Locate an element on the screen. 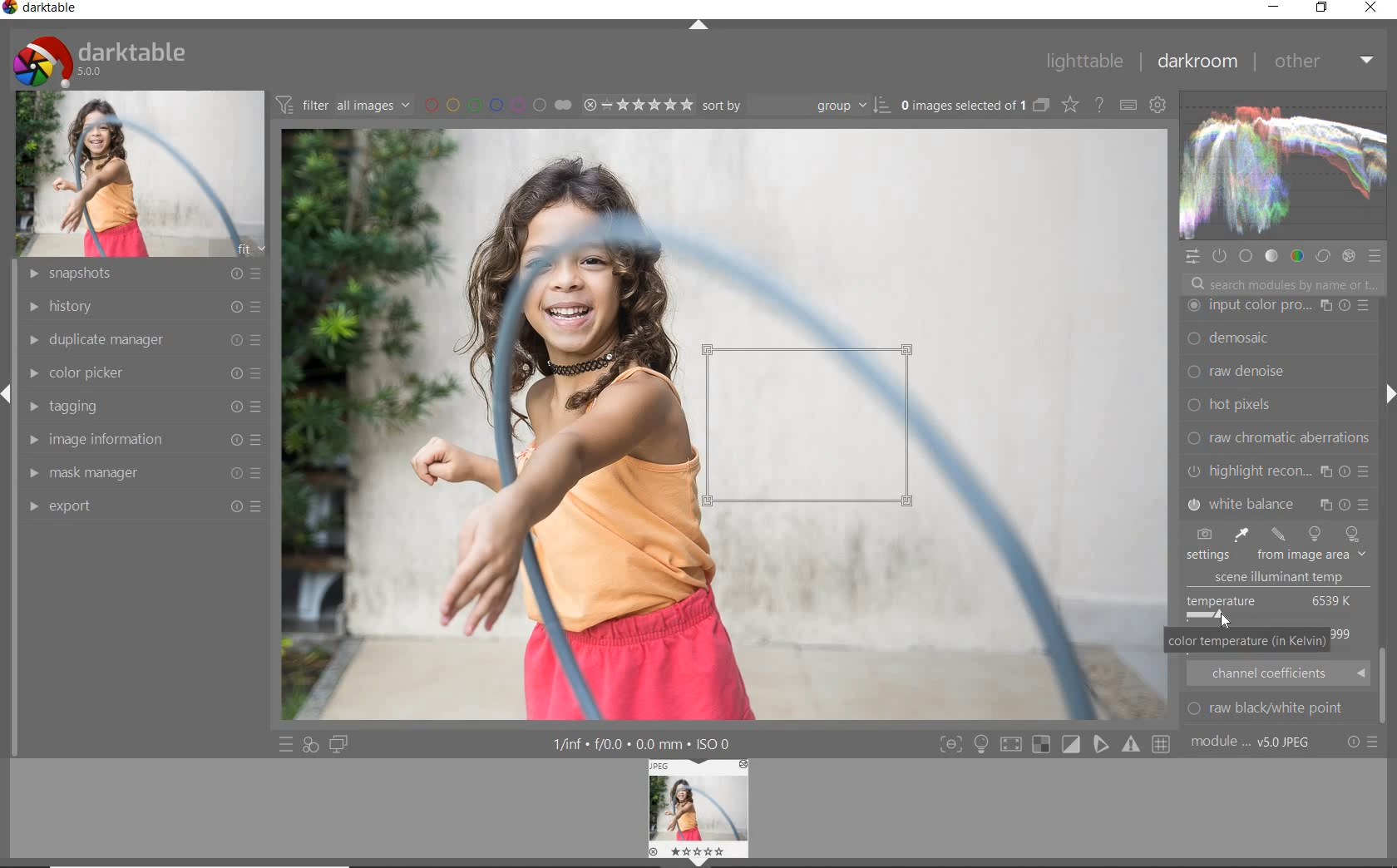 The width and height of the screenshot is (1397, 868). COLOR TEMPERATURE (IN kELVIN) is located at coordinates (1248, 643).